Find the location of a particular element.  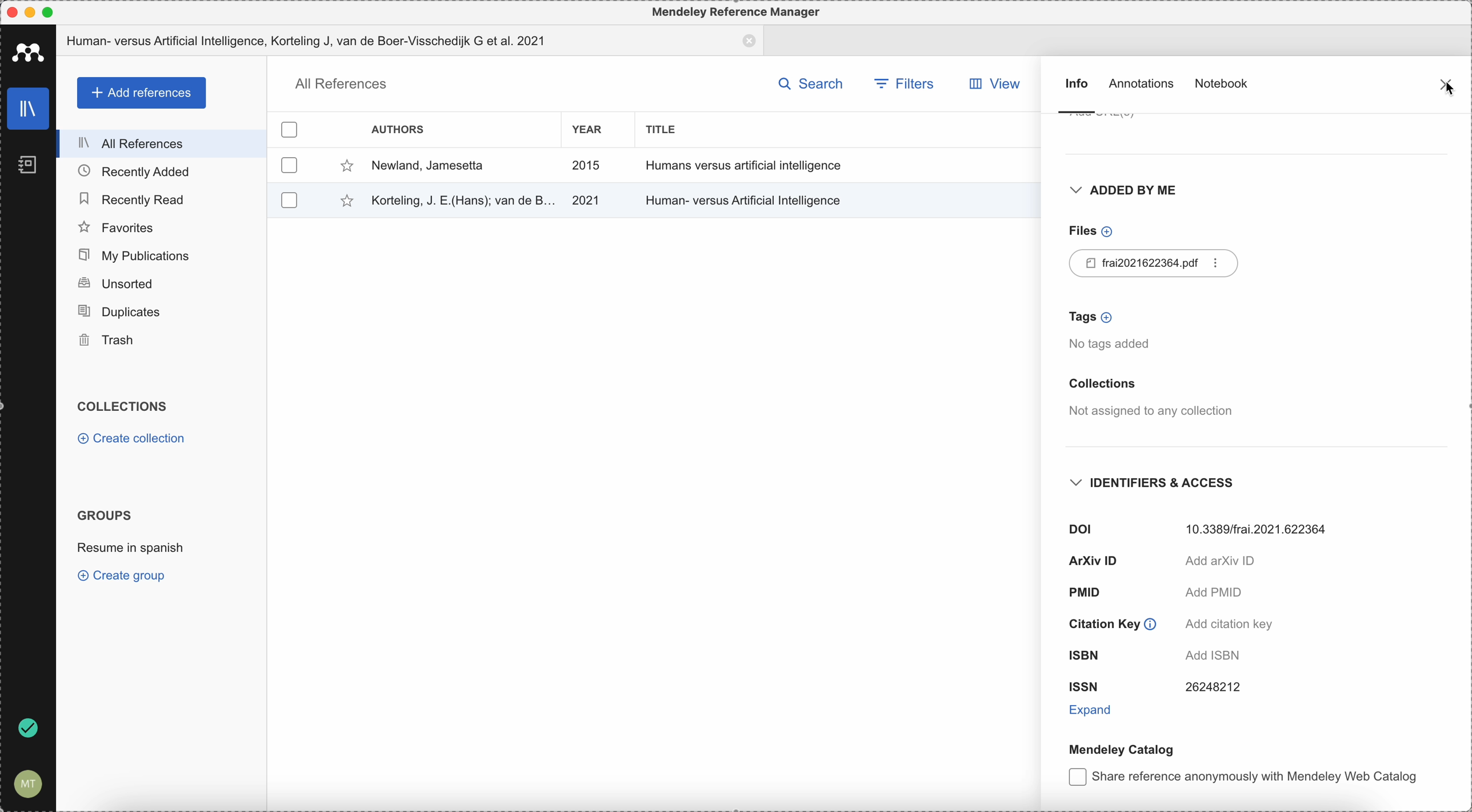

identifiers and access is located at coordinates (1158, 483).